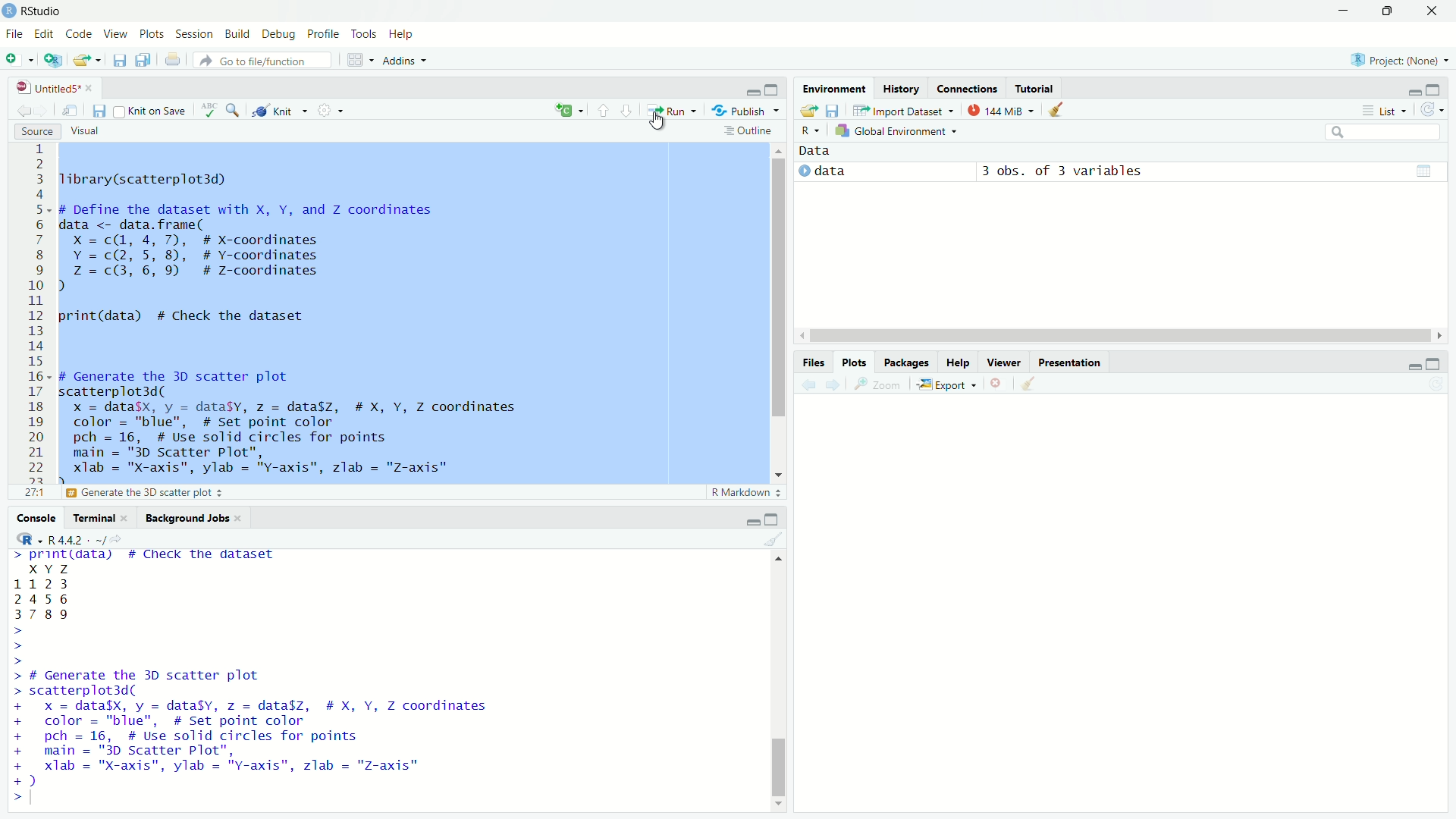  I want to click on move right, so click(1442, 334).